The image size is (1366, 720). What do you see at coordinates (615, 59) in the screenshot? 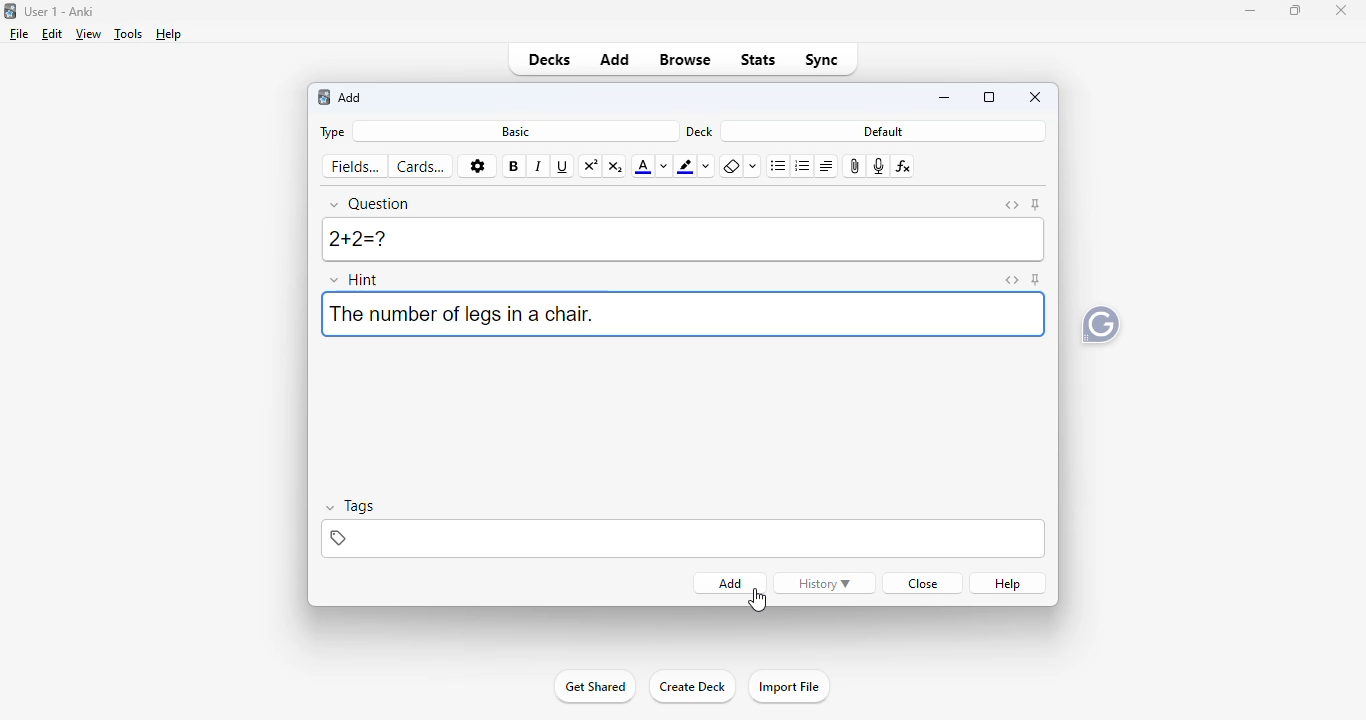
I see `add` at bounding box center [615, 59].